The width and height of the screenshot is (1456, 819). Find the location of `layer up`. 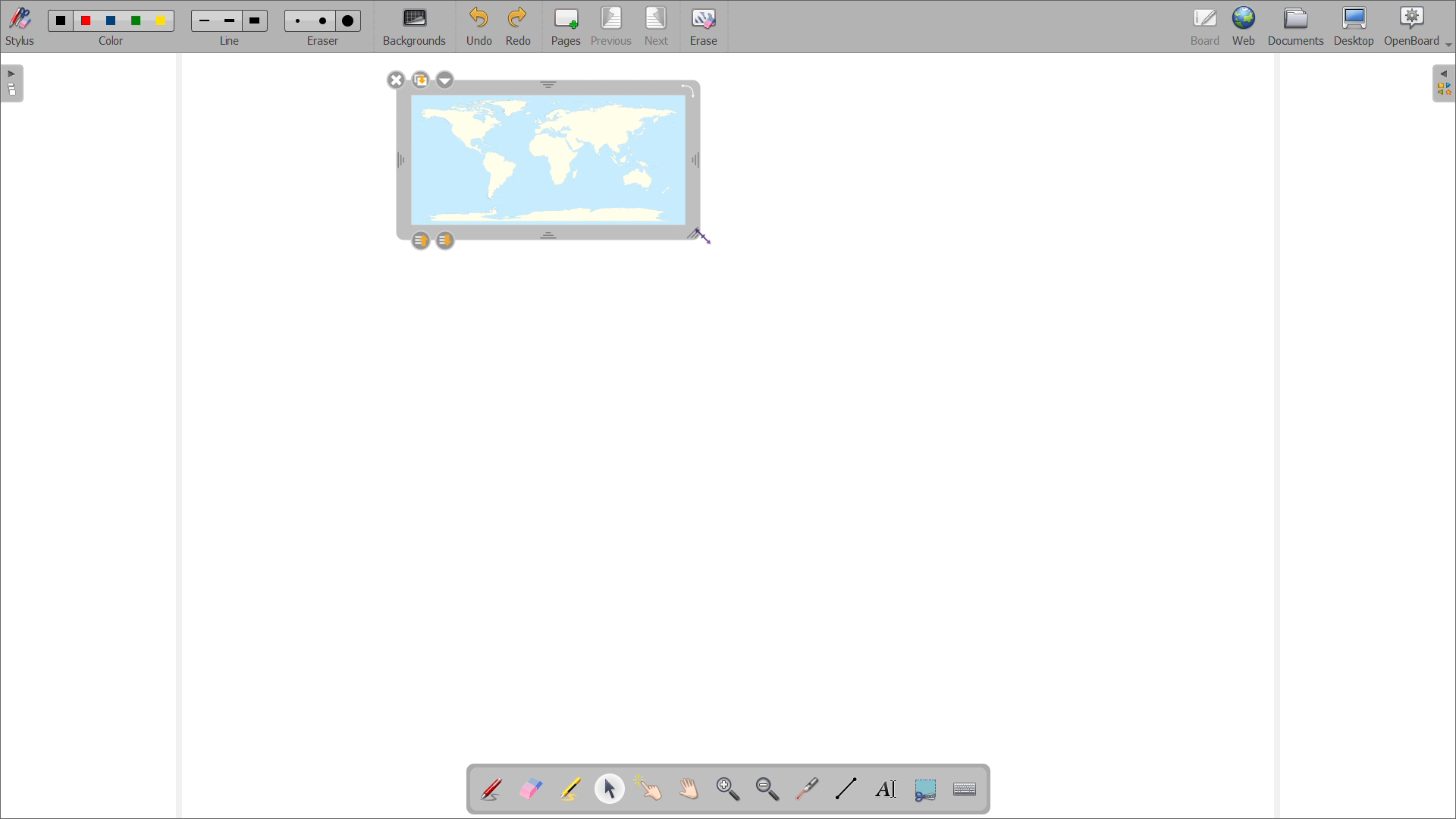

layer up is located at coordinates (420, 241).